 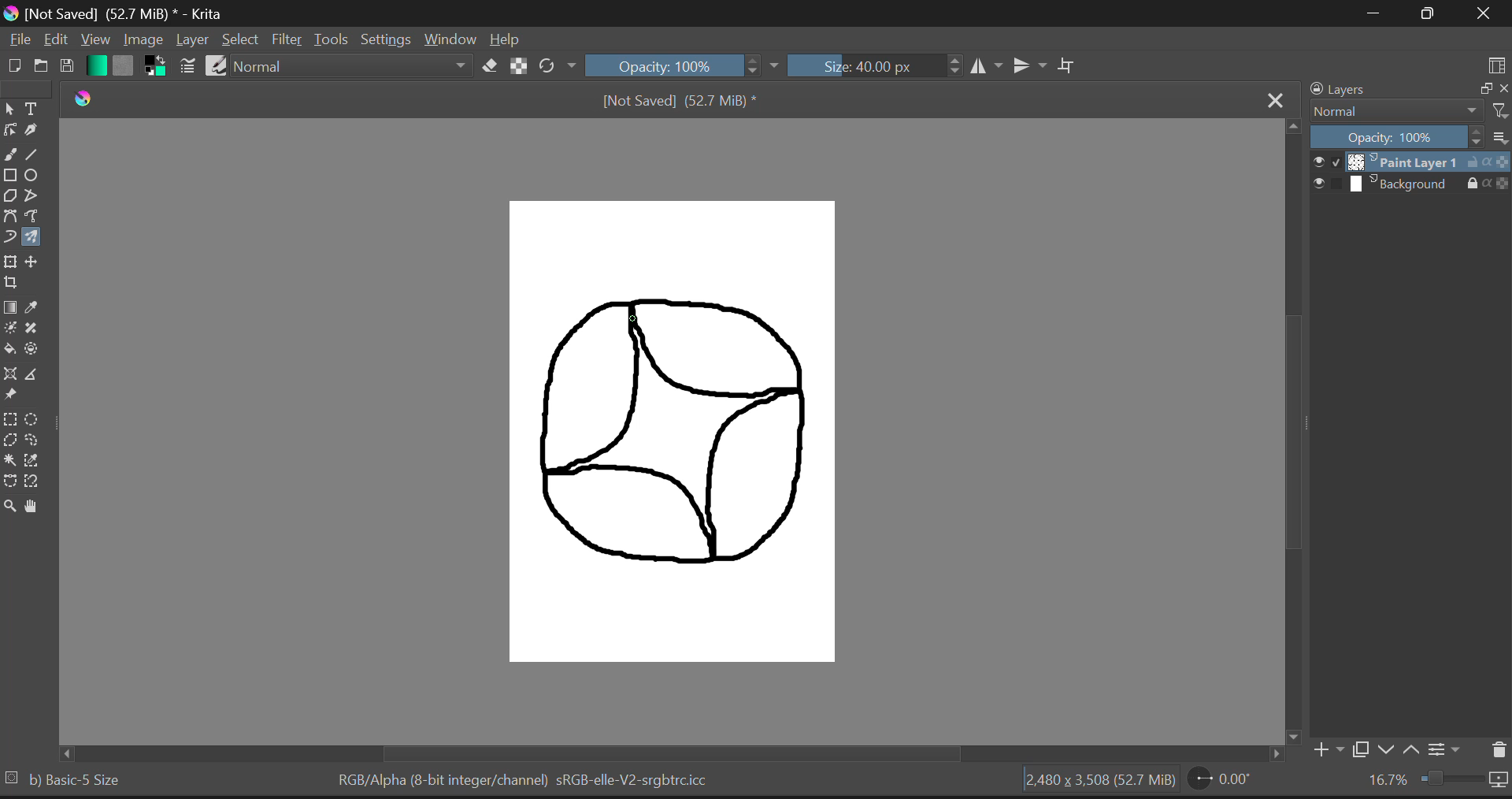 What do you see at coordinates (35, 236) in the screenshot?
I see `Multibrush Tool Selected` at bounding box center [35, 236].